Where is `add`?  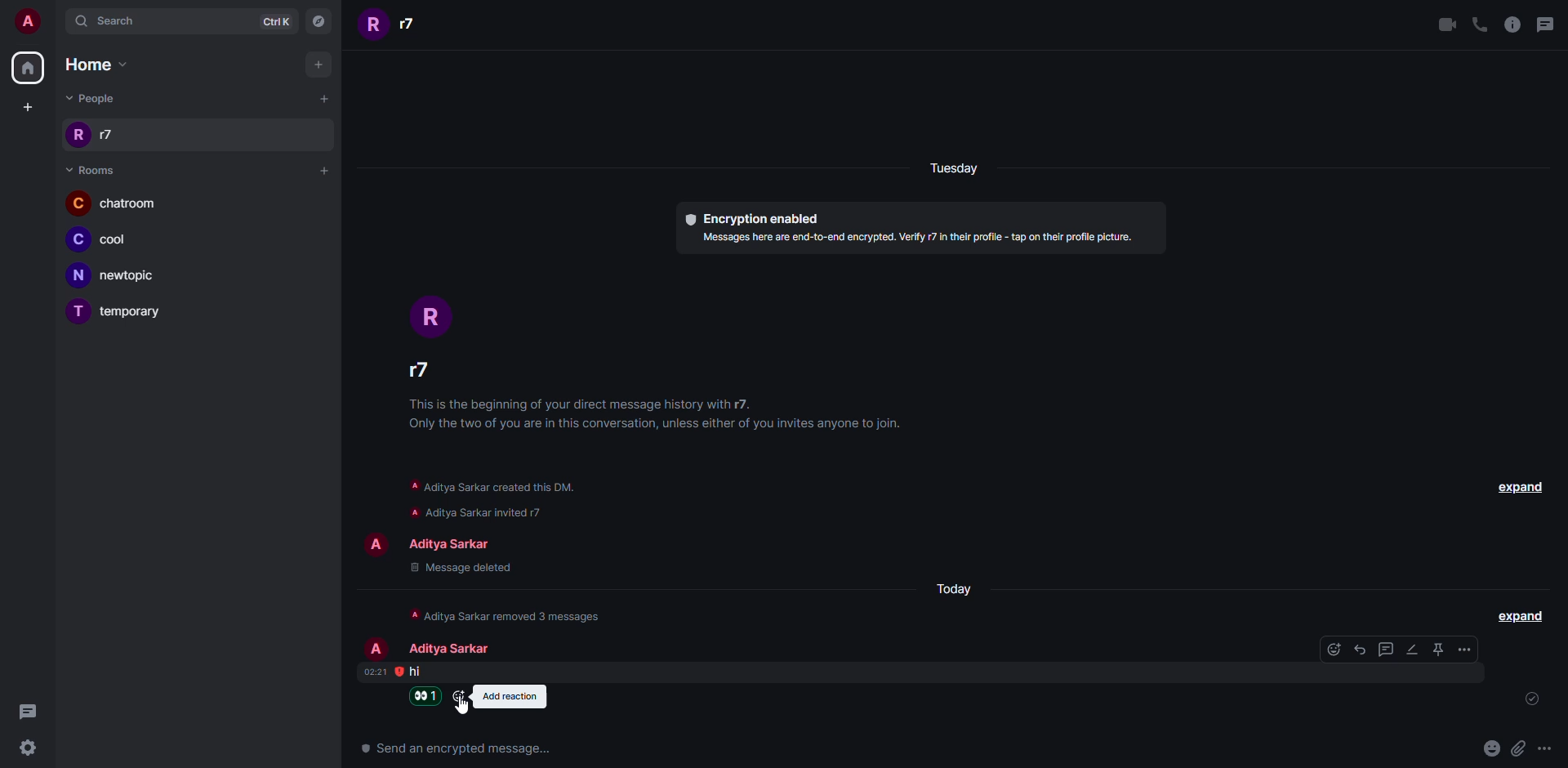
add is located at coordinates (322, 169).